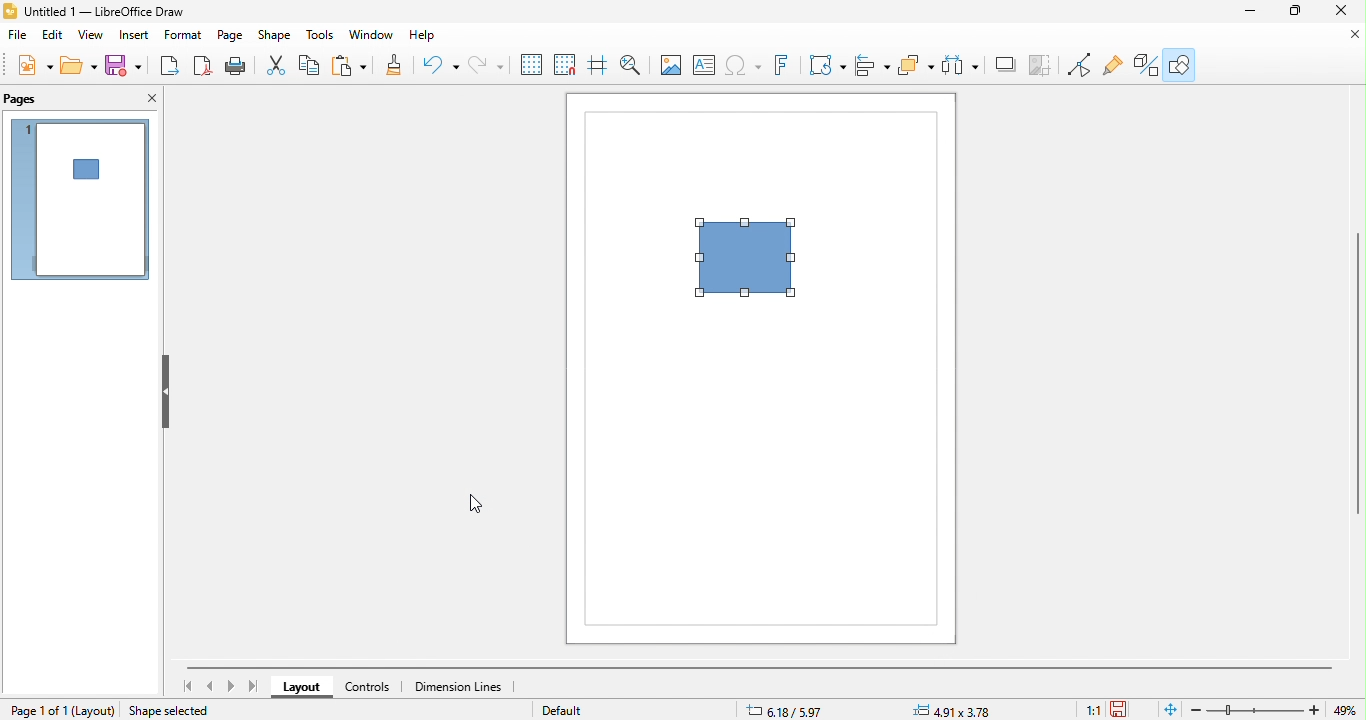 Image resolution: width=1366 pixels, height=720 pixels. Describe the element at coordinates (1126, 709) in the screenshot. I see `the document has been modified since the last save` at that location.